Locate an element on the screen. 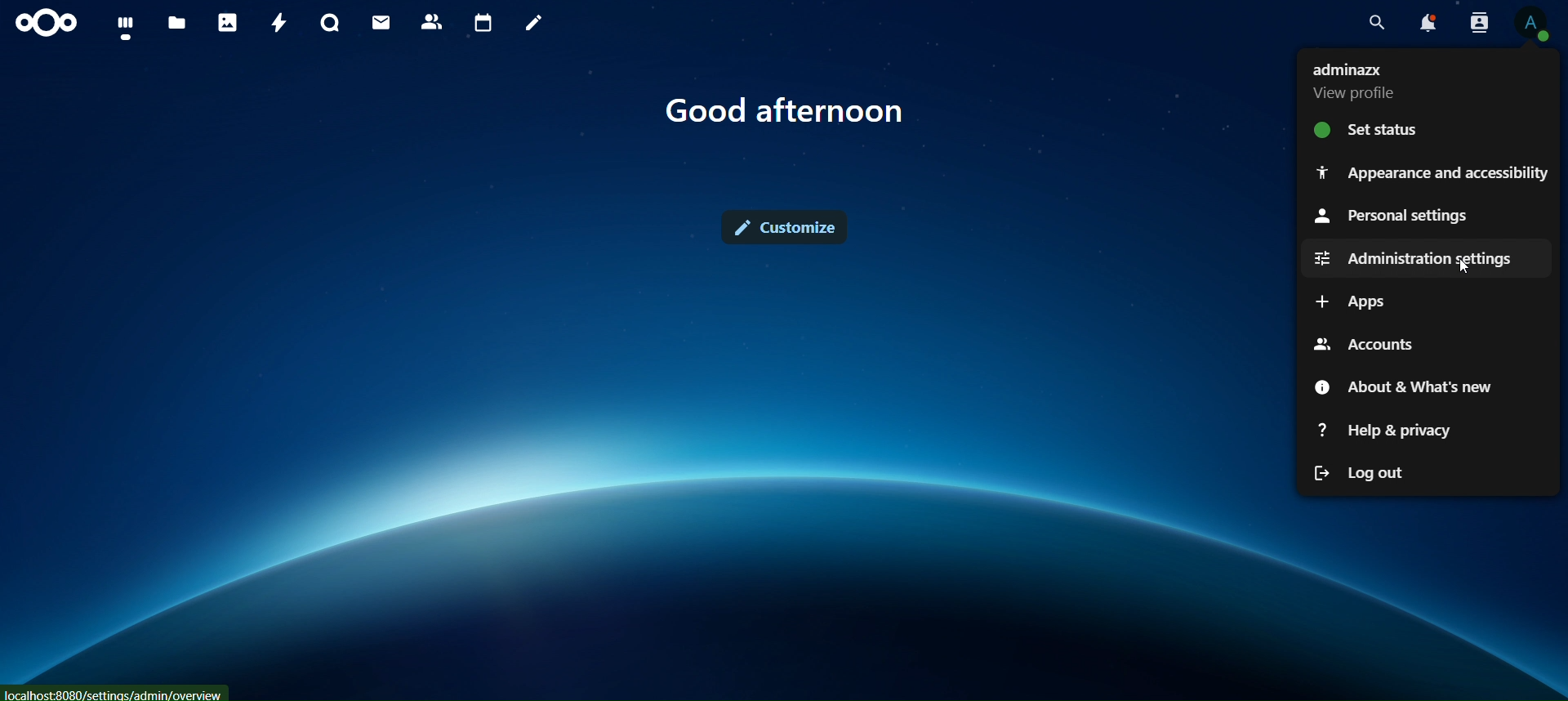  apps is located at coordinates (1364, 301).